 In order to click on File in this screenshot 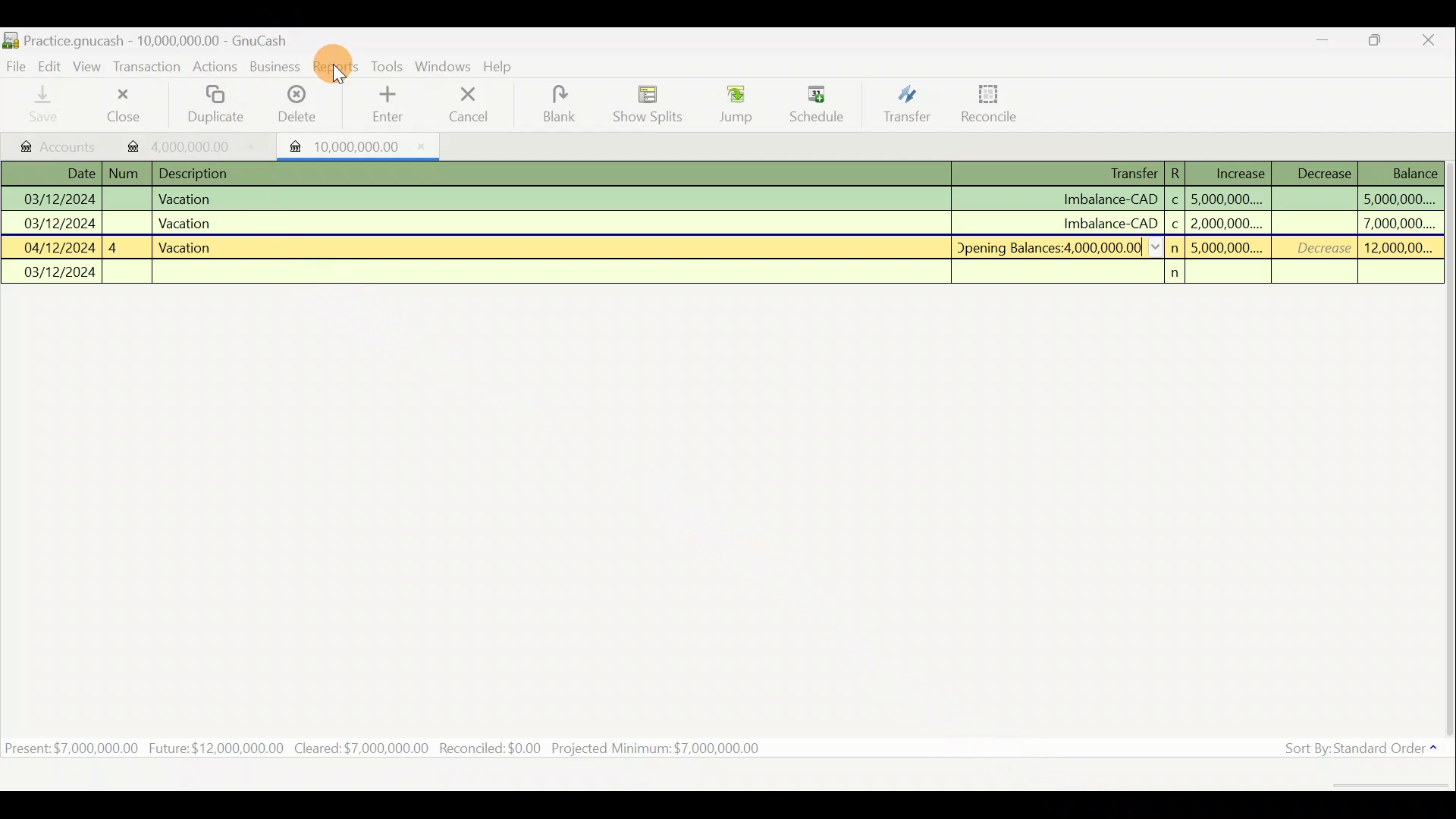, I will do `click(17, 67)`.